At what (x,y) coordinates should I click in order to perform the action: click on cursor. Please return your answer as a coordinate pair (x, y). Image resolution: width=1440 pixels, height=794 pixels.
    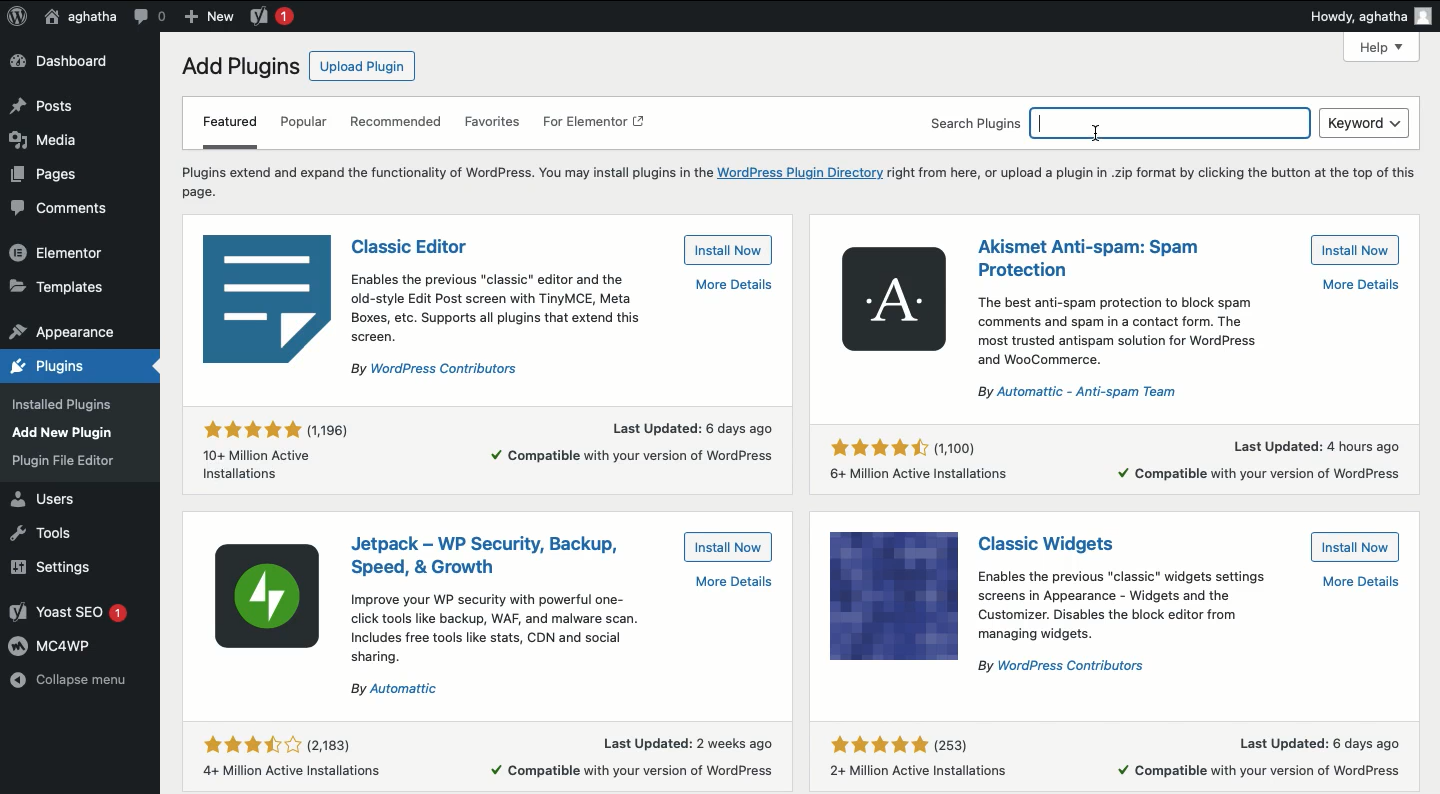
    Looking at the image, I should click on (1090, 132).